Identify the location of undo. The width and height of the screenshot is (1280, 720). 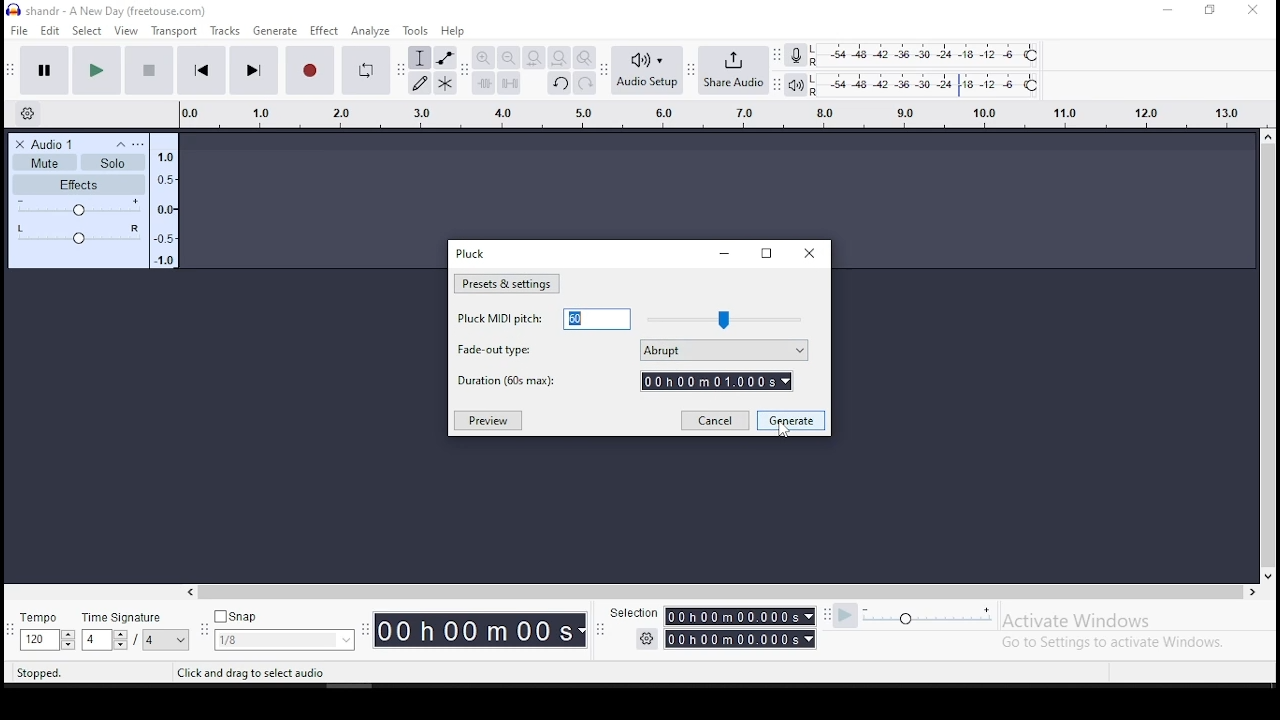
(559, 83).